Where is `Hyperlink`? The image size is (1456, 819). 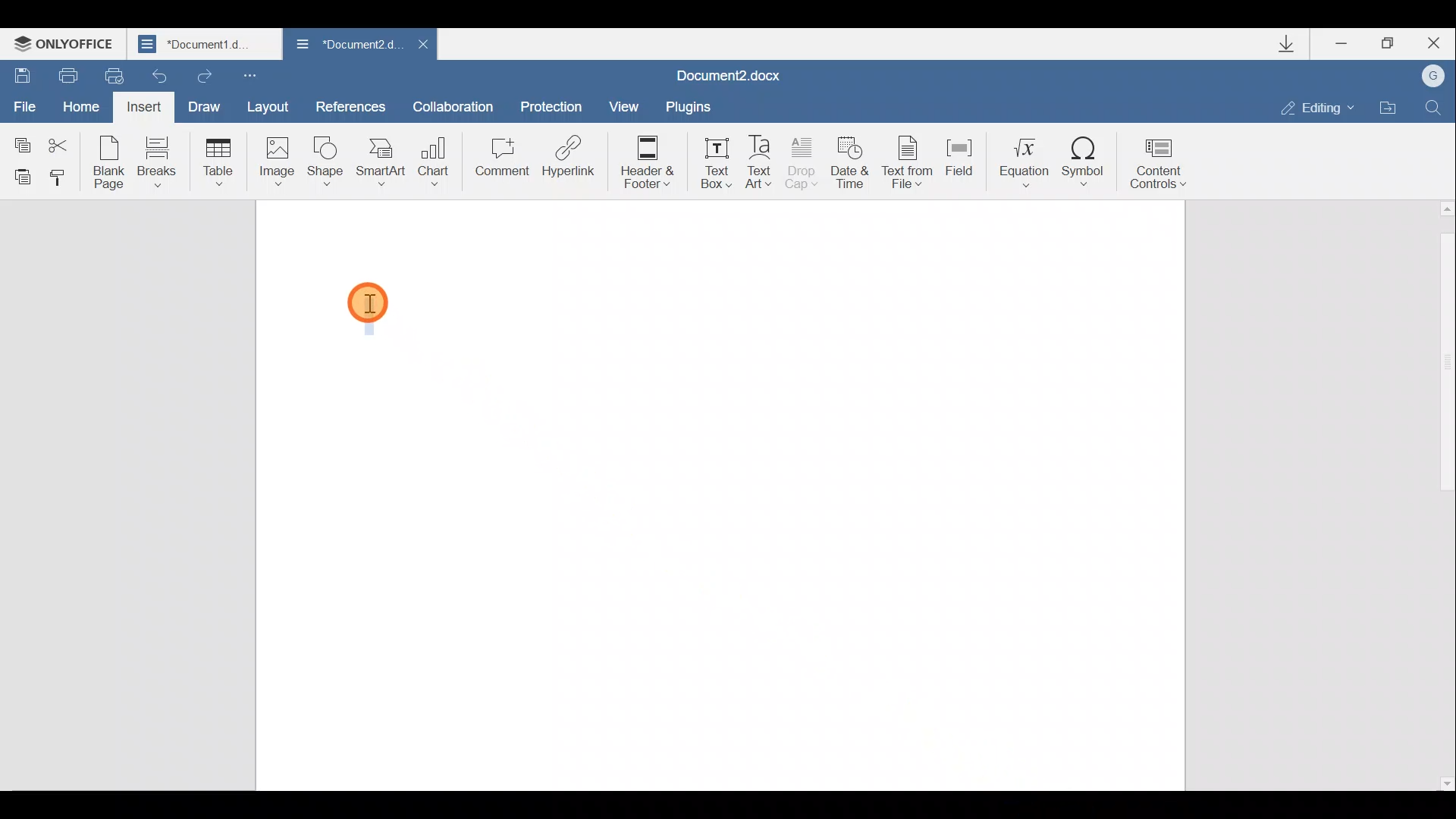 Hyperlink is located at coordinates (569, 155).